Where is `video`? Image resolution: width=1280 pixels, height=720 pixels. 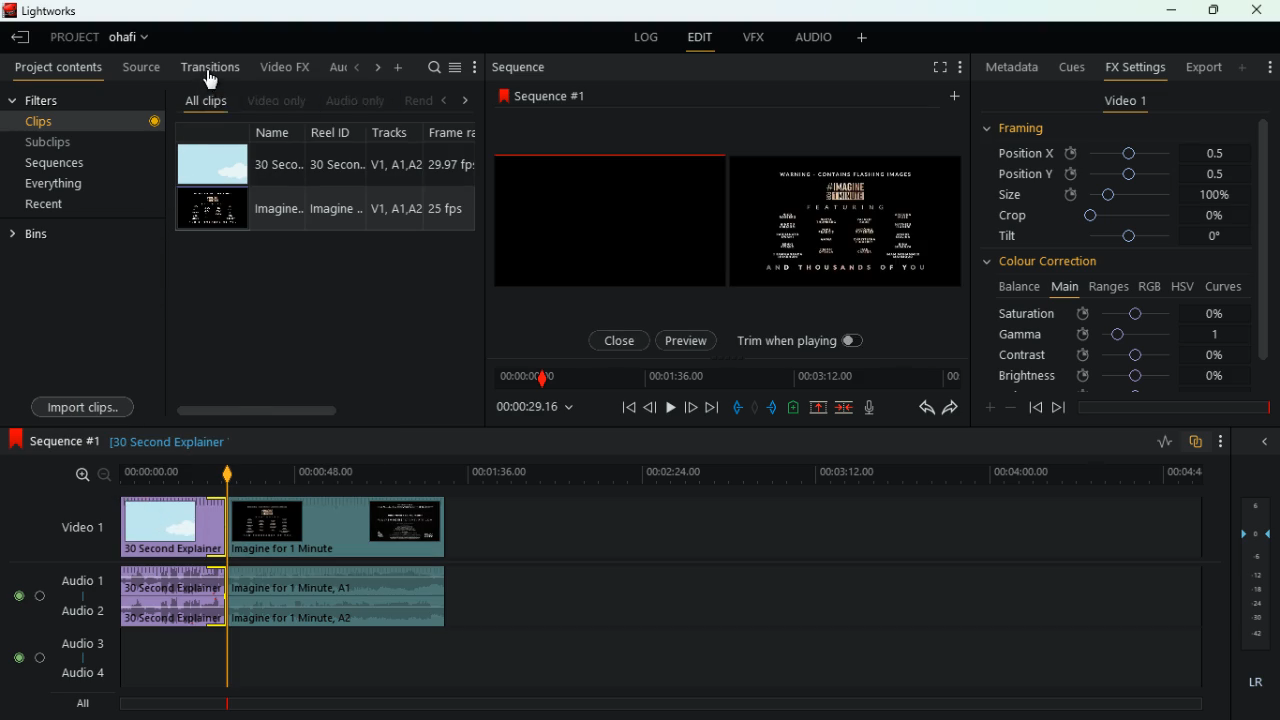
video is located at coordinates (210, 211).